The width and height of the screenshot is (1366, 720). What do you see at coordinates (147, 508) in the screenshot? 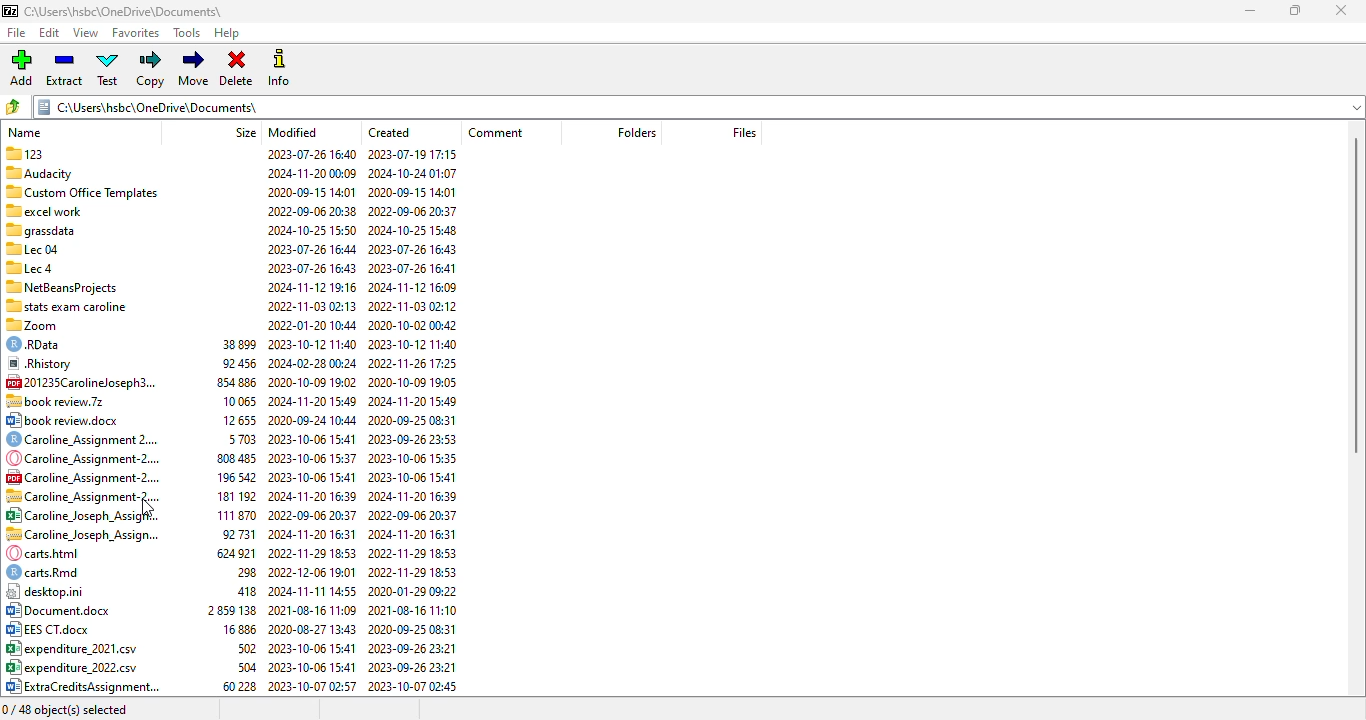
I see `cursor` at bounding box center [147, 508].